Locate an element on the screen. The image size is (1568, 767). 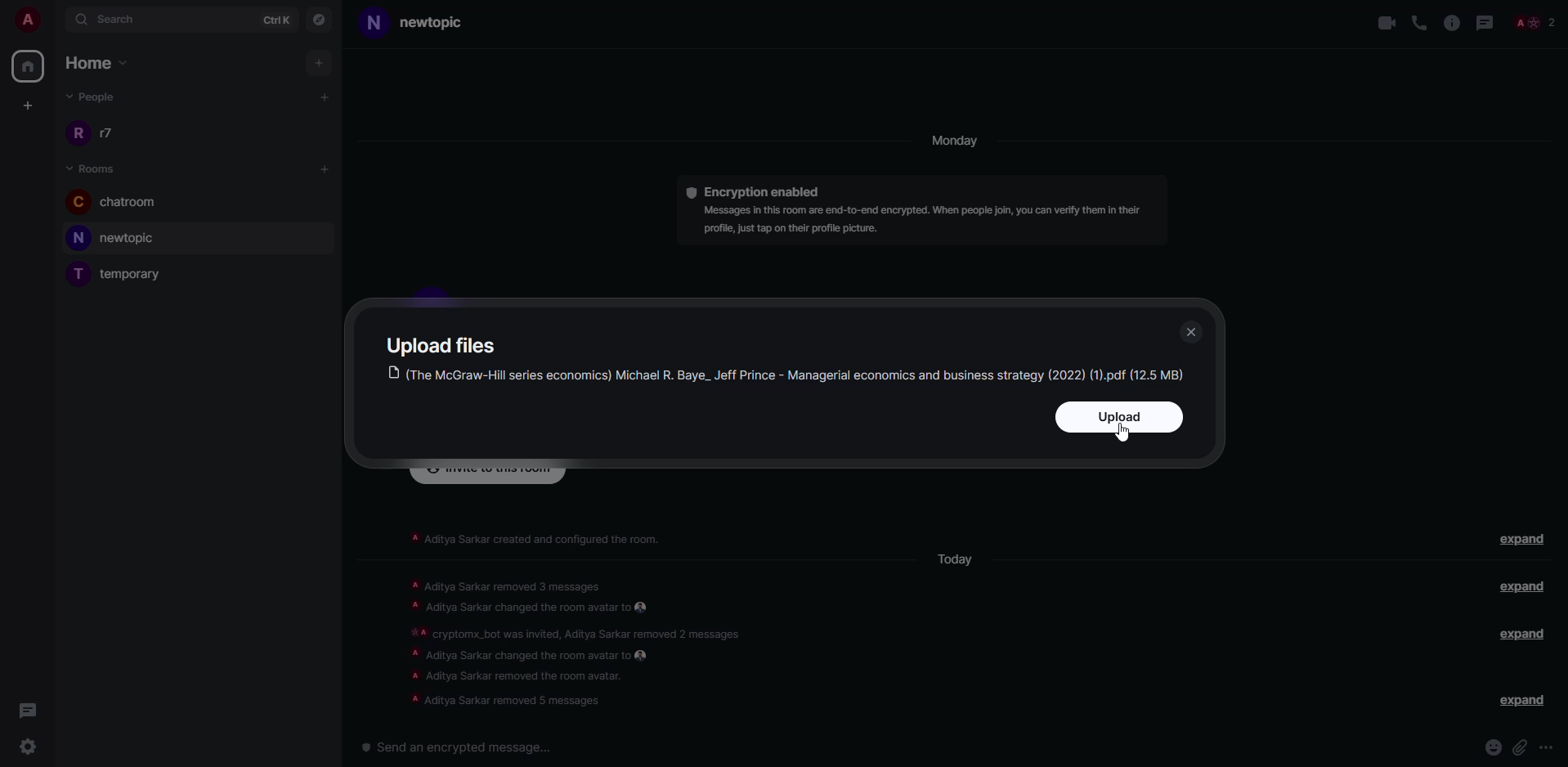
close is located at coordinates (1191, 330).